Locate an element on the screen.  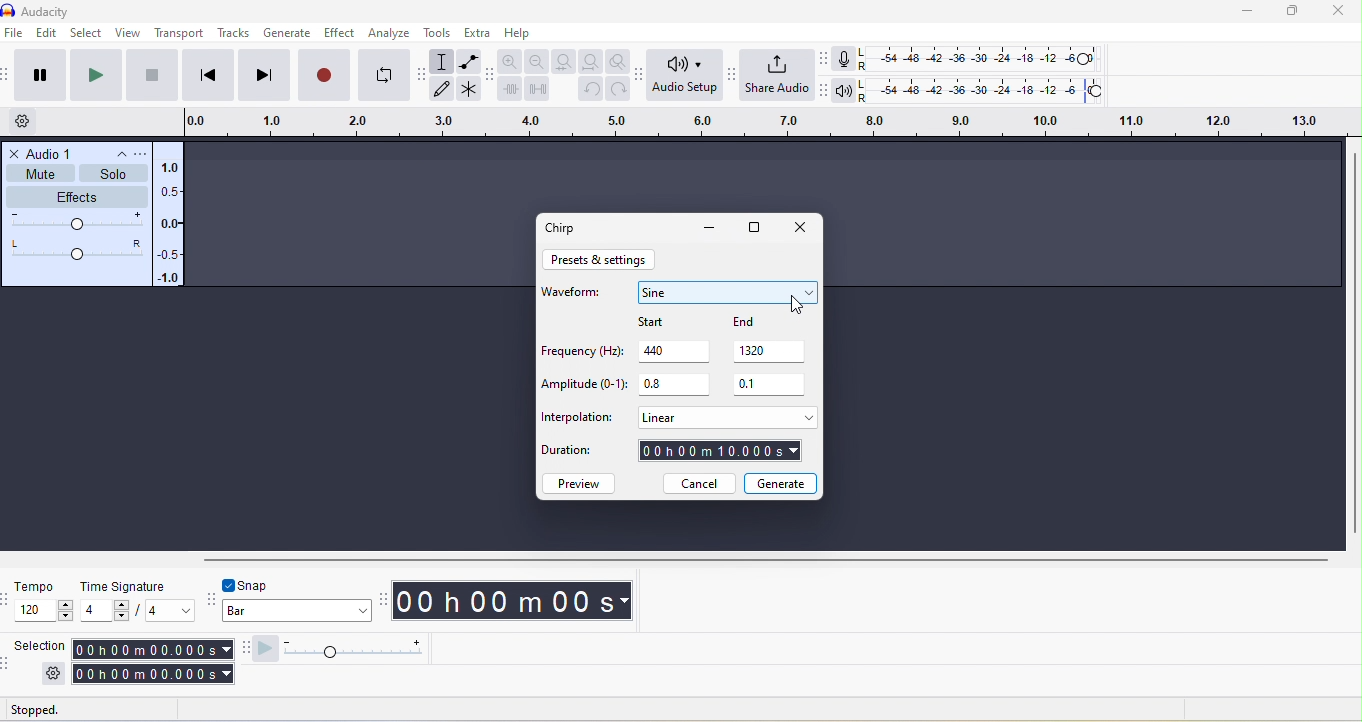
click and drag to define a looping region is located at coordinates (760, 120).